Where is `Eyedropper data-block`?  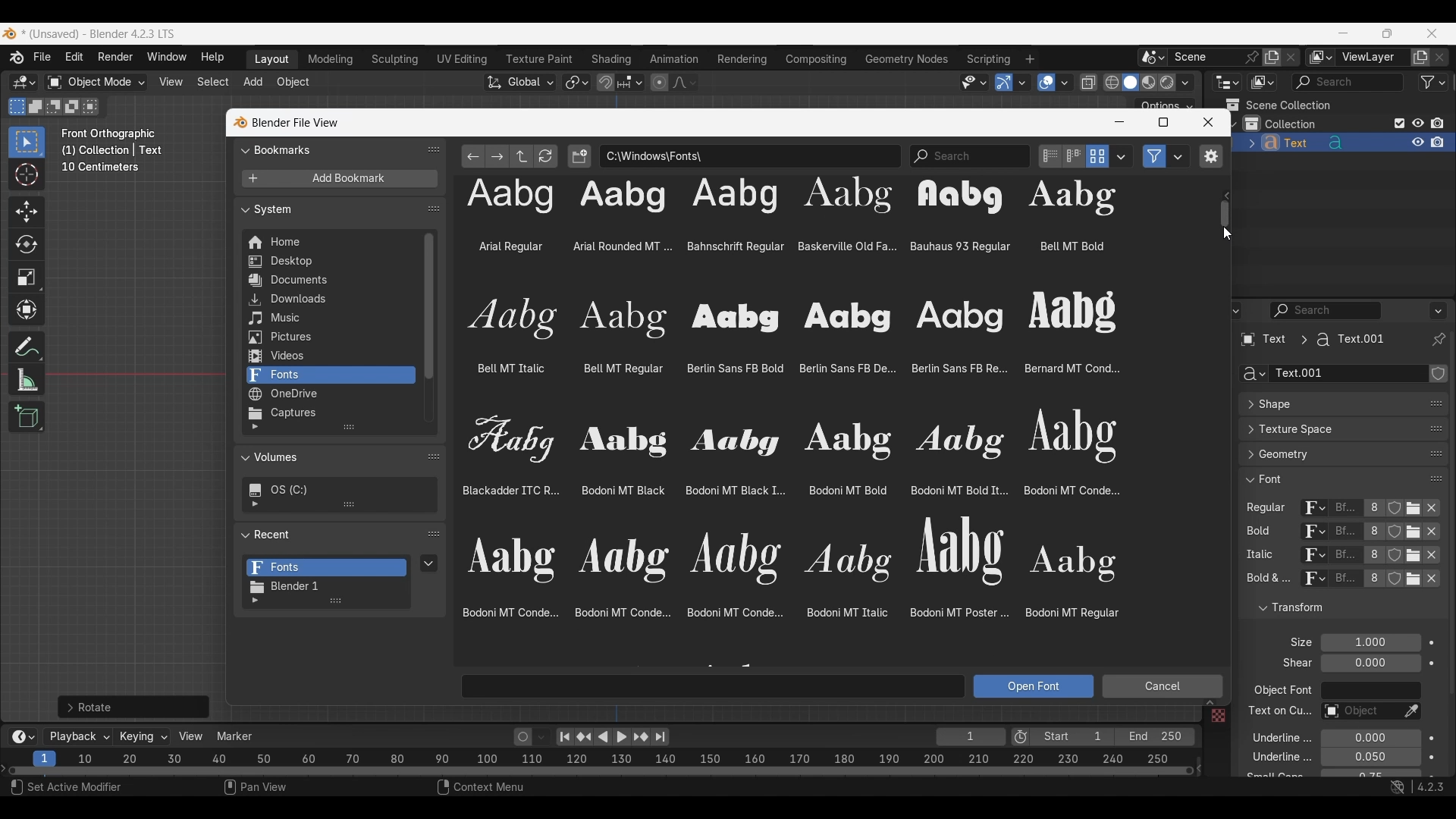 Eyedropper data-block is located at coordinates (1410, 712).